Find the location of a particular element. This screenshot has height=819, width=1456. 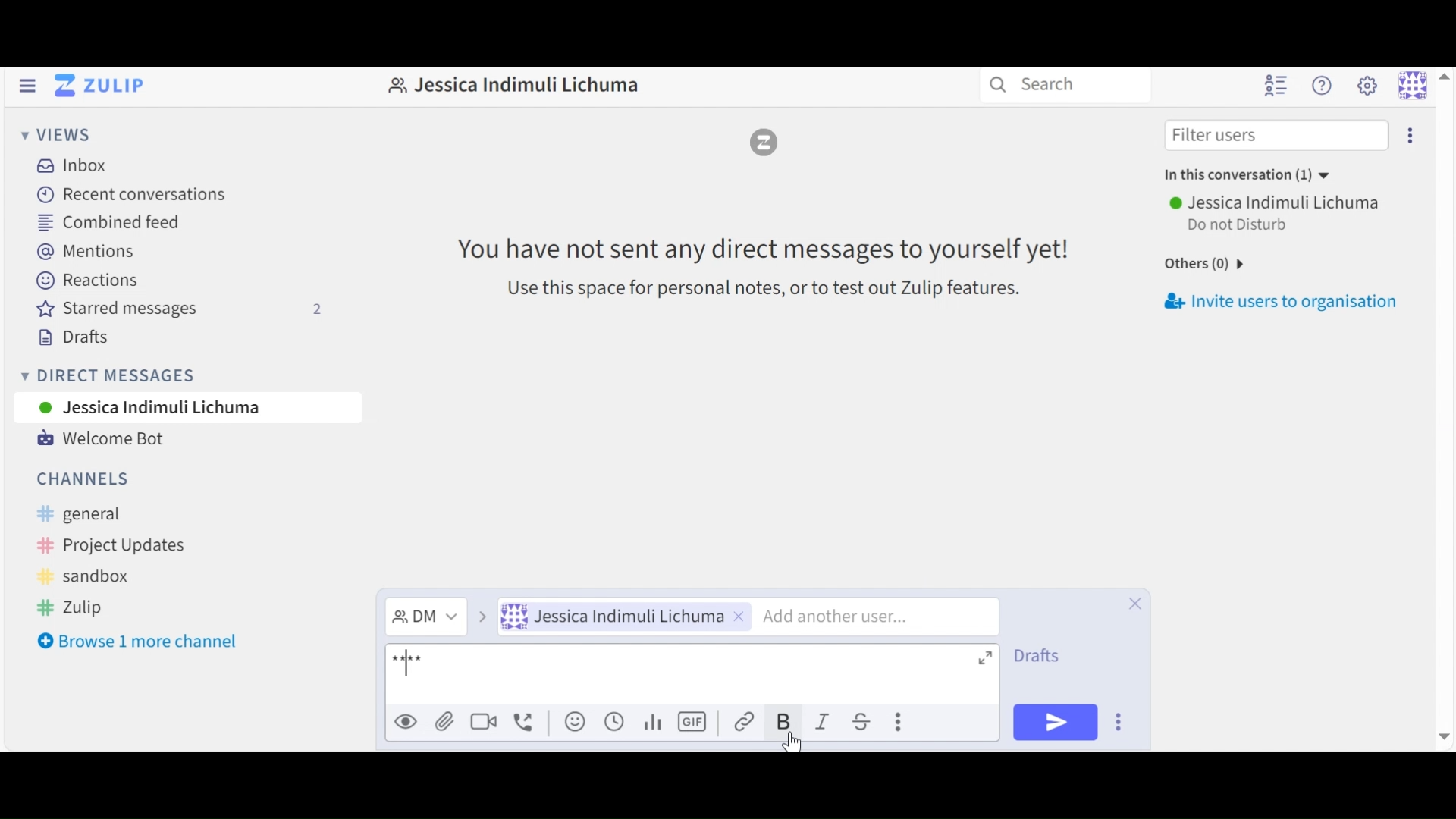

Preview is located at coordinates (406, 720).